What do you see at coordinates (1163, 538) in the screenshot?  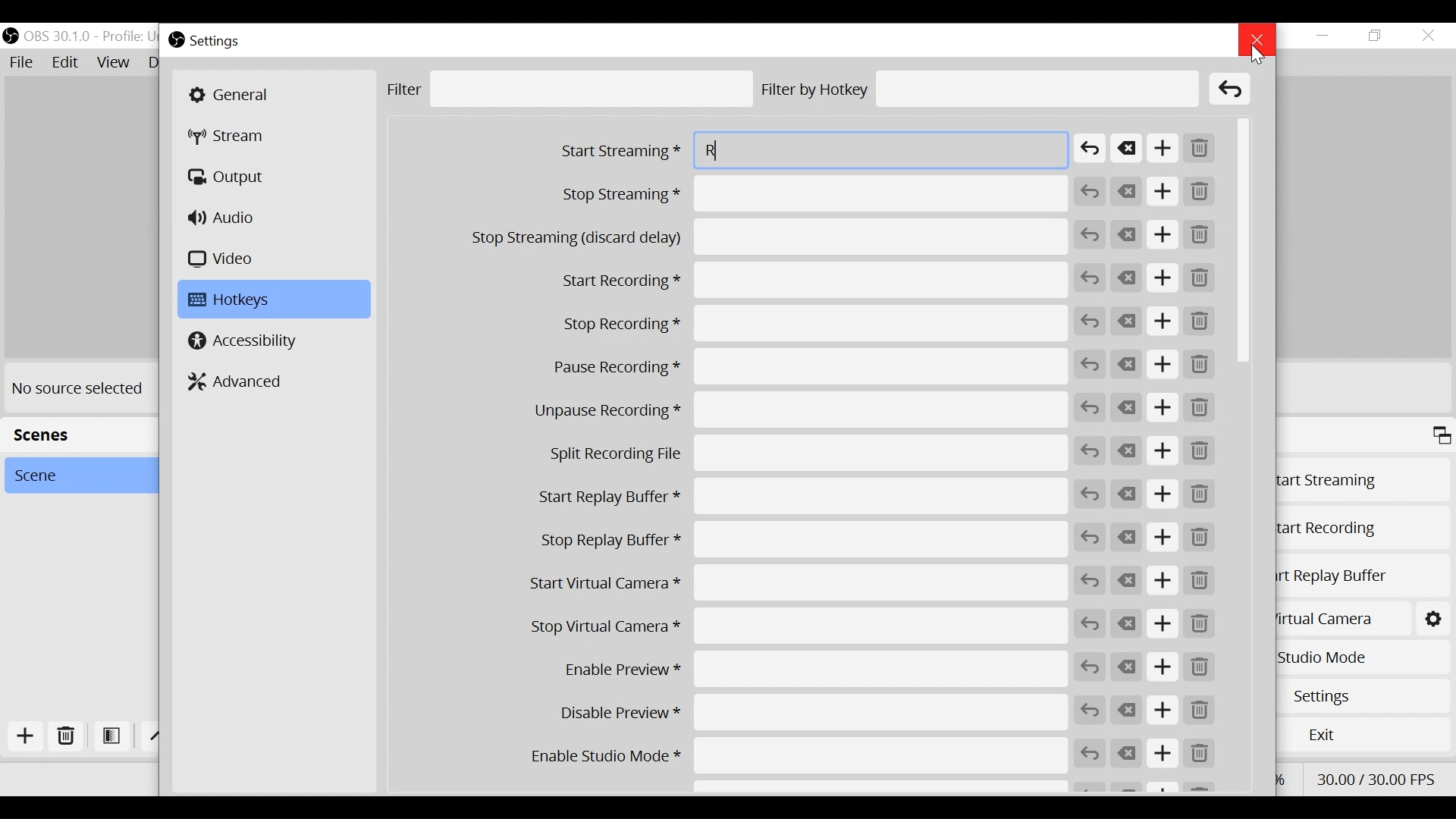 I see `Add` at bounding box center [1163, 538].